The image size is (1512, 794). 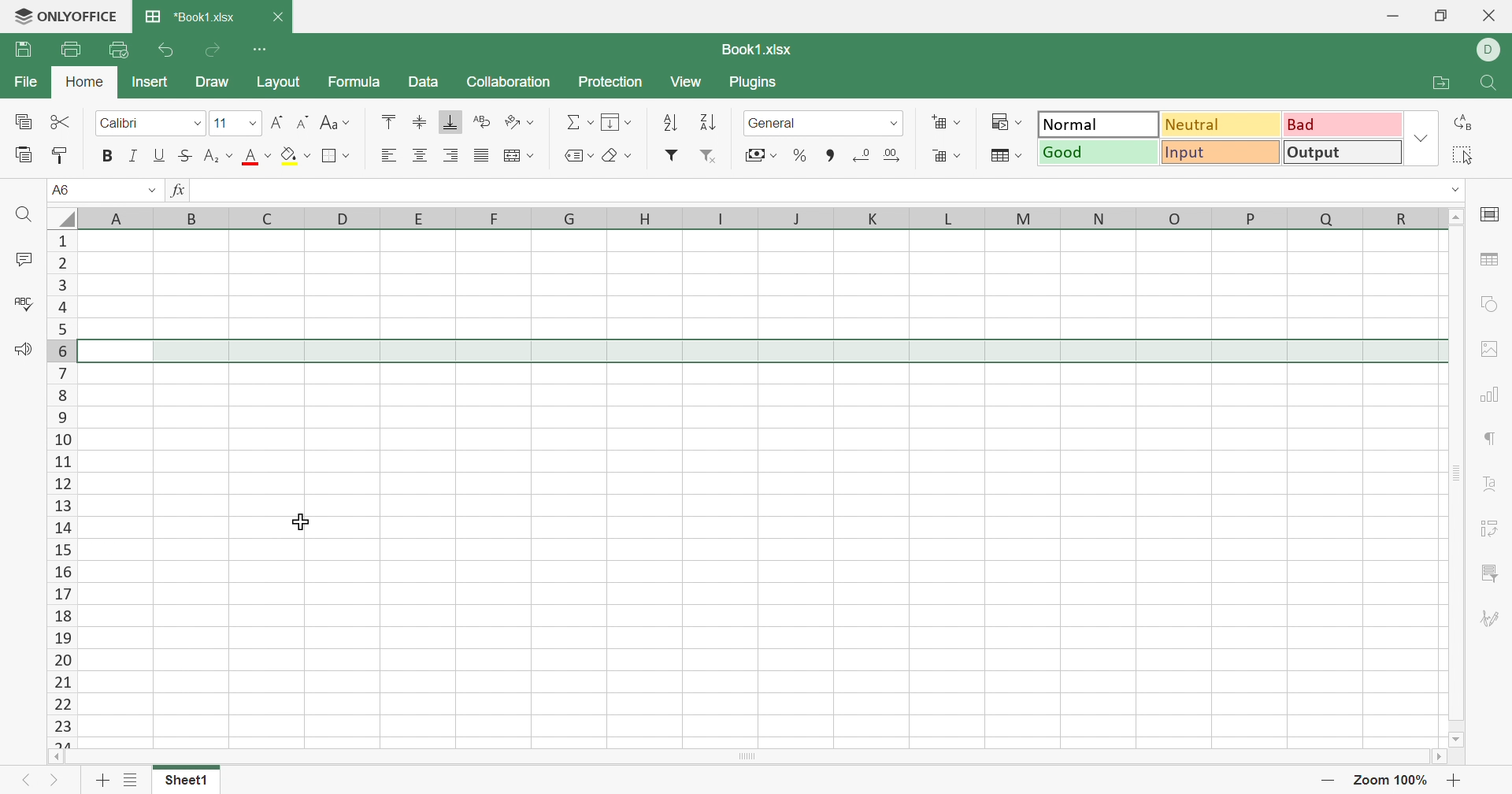 What do you see at coordinates (716, 157) in the screenshot?
I see `Remove style` at bounding box center [716, 157].